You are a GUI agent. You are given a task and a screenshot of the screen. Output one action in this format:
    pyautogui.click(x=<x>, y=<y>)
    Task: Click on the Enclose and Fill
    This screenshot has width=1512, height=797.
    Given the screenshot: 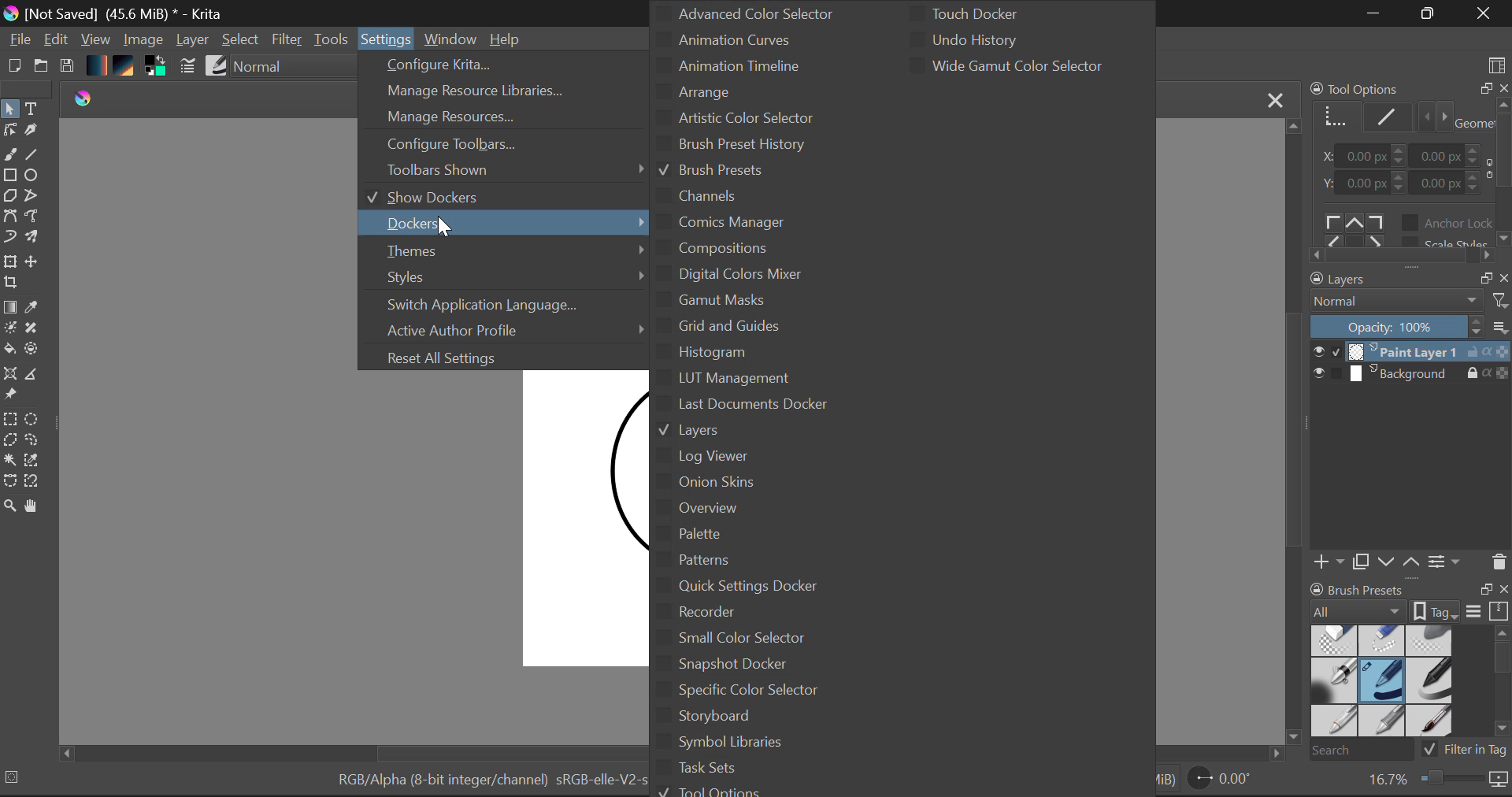 What is the action you would take?
    pyautogui.click(x=36, y=352)
    